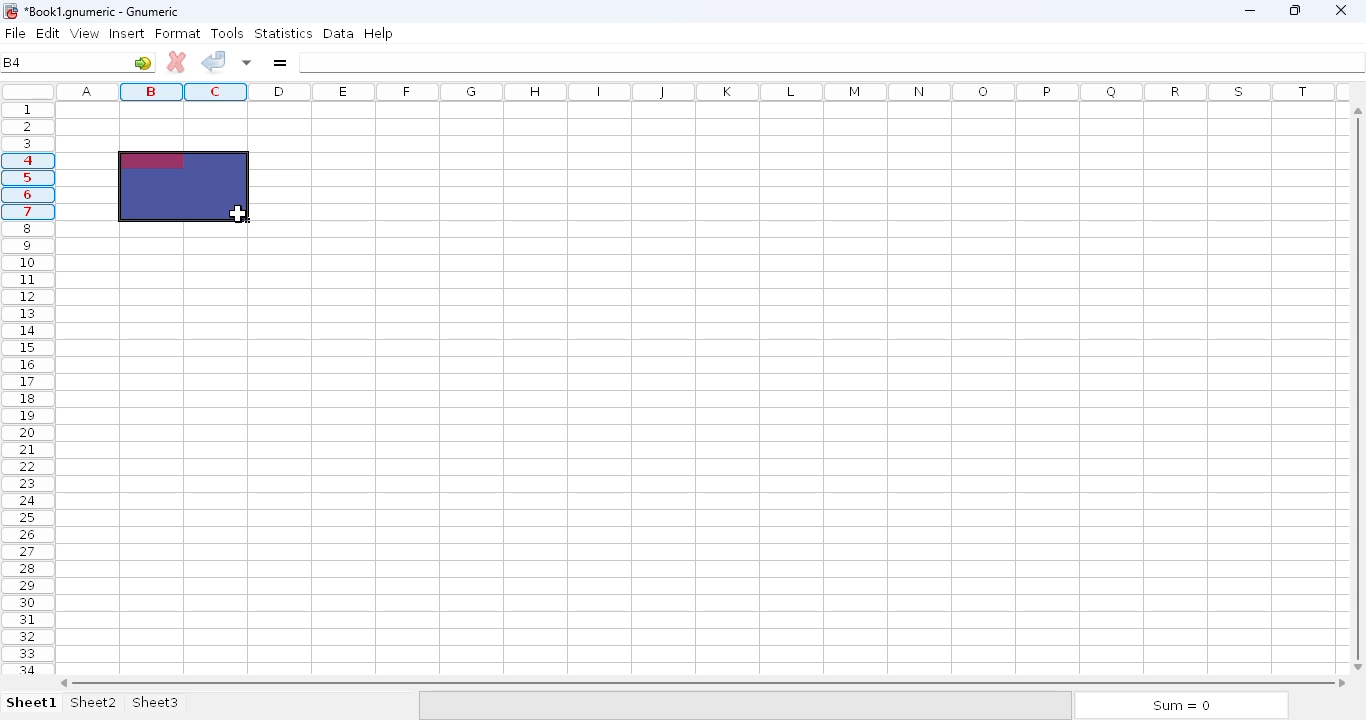 The height and width of the screenshot is (720, 1366). I want to click on columns, so click(693, 91).